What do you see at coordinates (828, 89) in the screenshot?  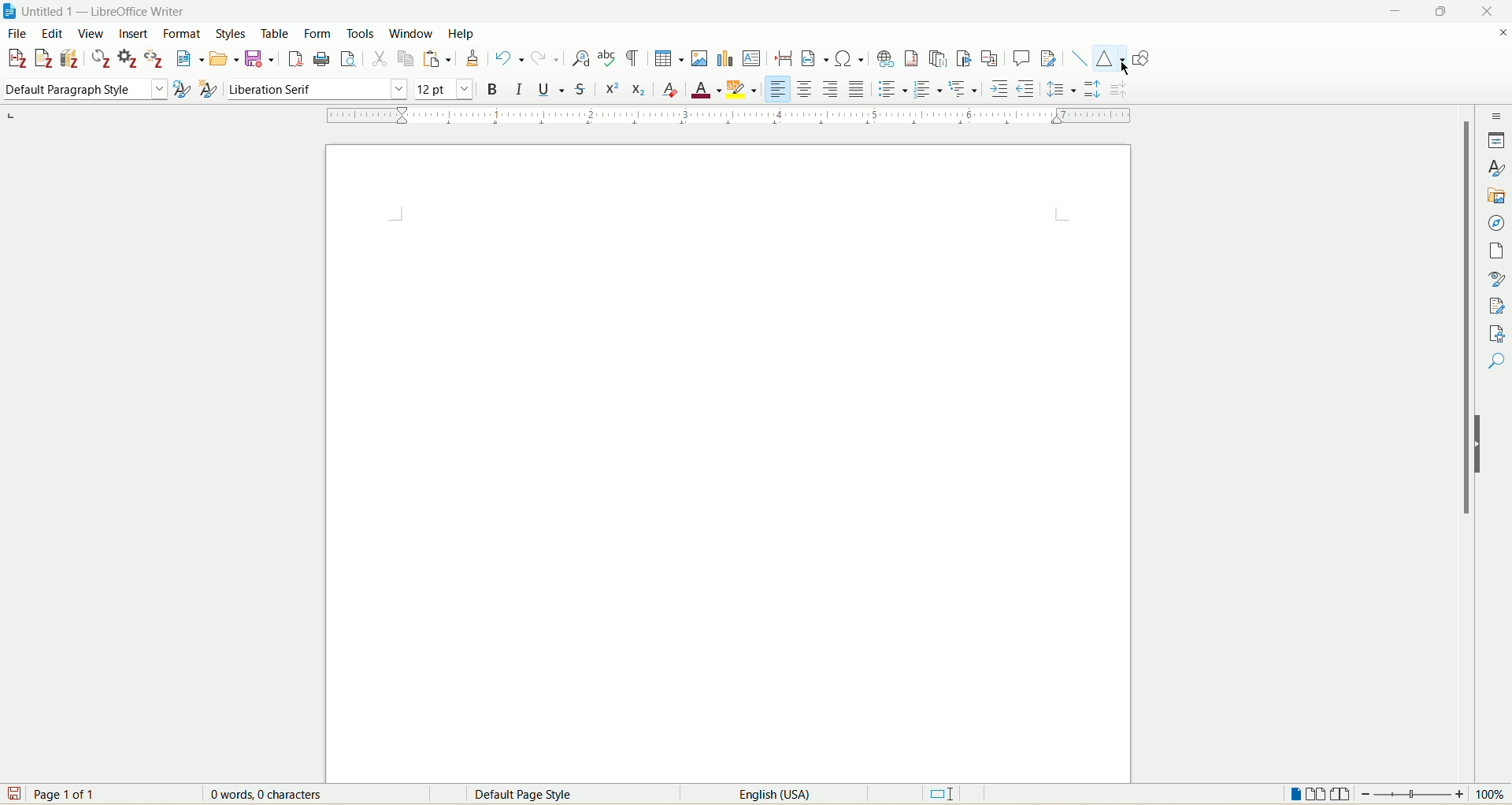 I see `align right` at bounding box center [828, 89].